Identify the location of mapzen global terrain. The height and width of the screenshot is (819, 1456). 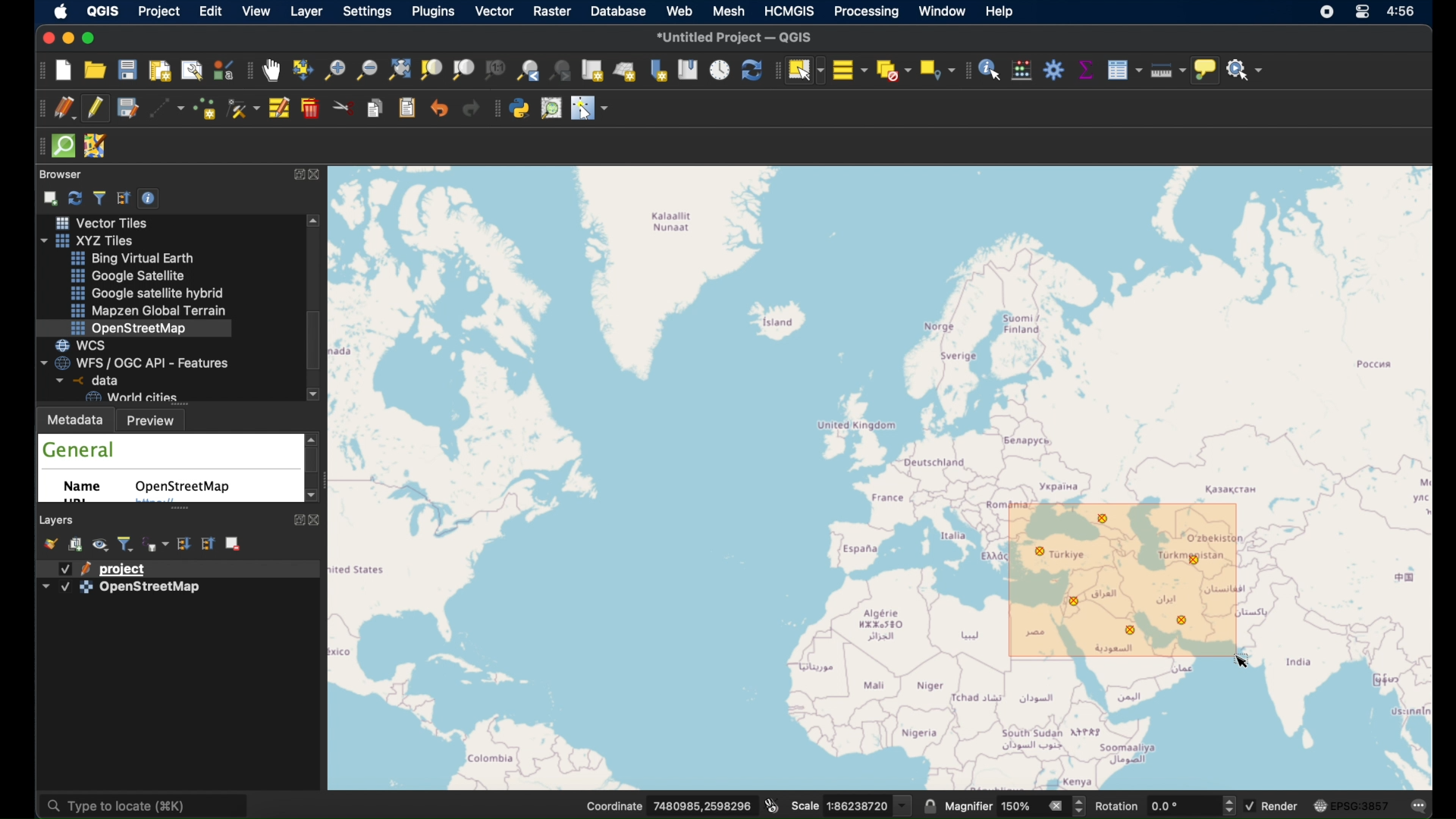
(151, 311).